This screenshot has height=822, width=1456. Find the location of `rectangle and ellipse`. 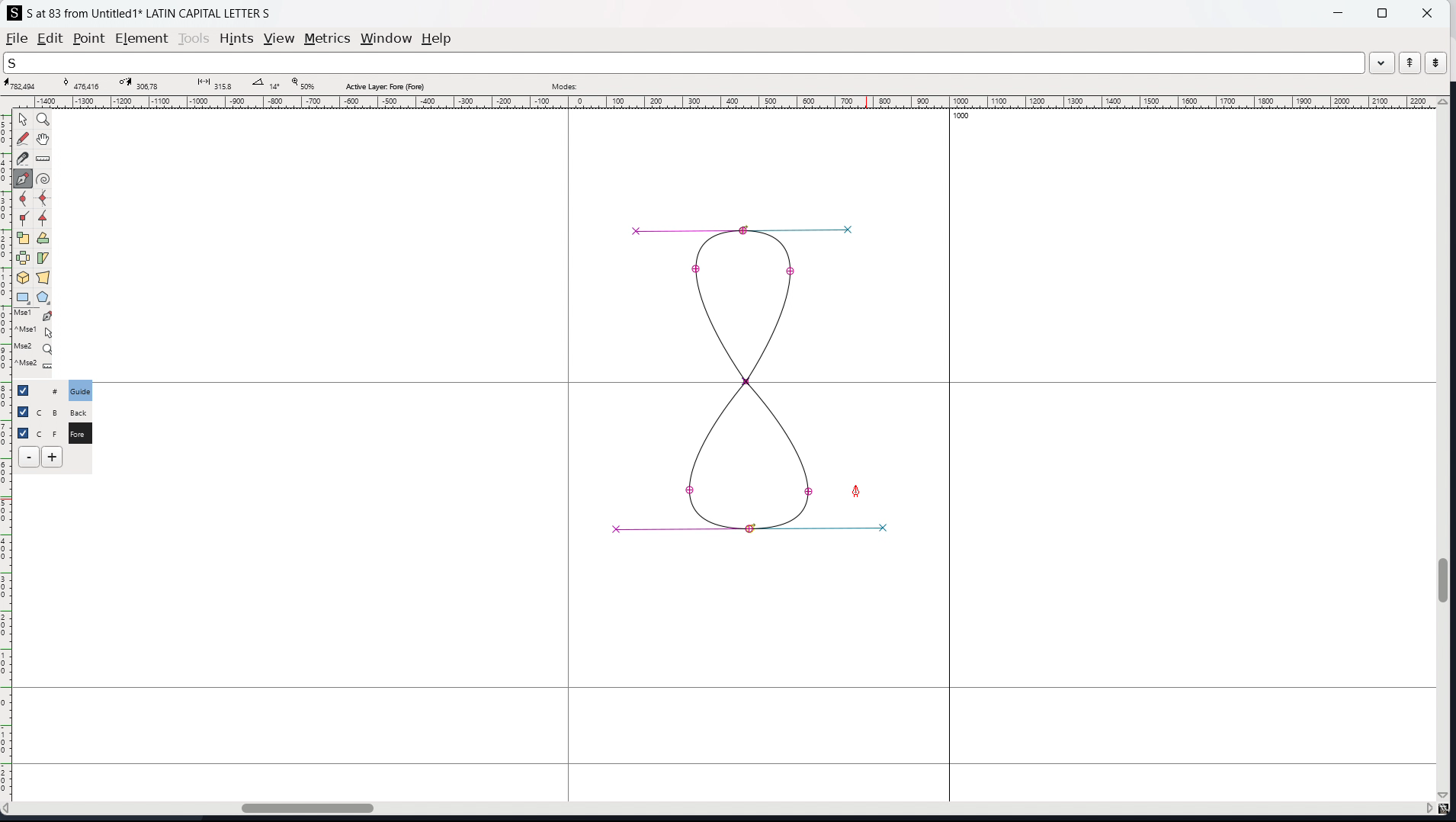

rectangle and ellipse is located at coordinates (24, 298).